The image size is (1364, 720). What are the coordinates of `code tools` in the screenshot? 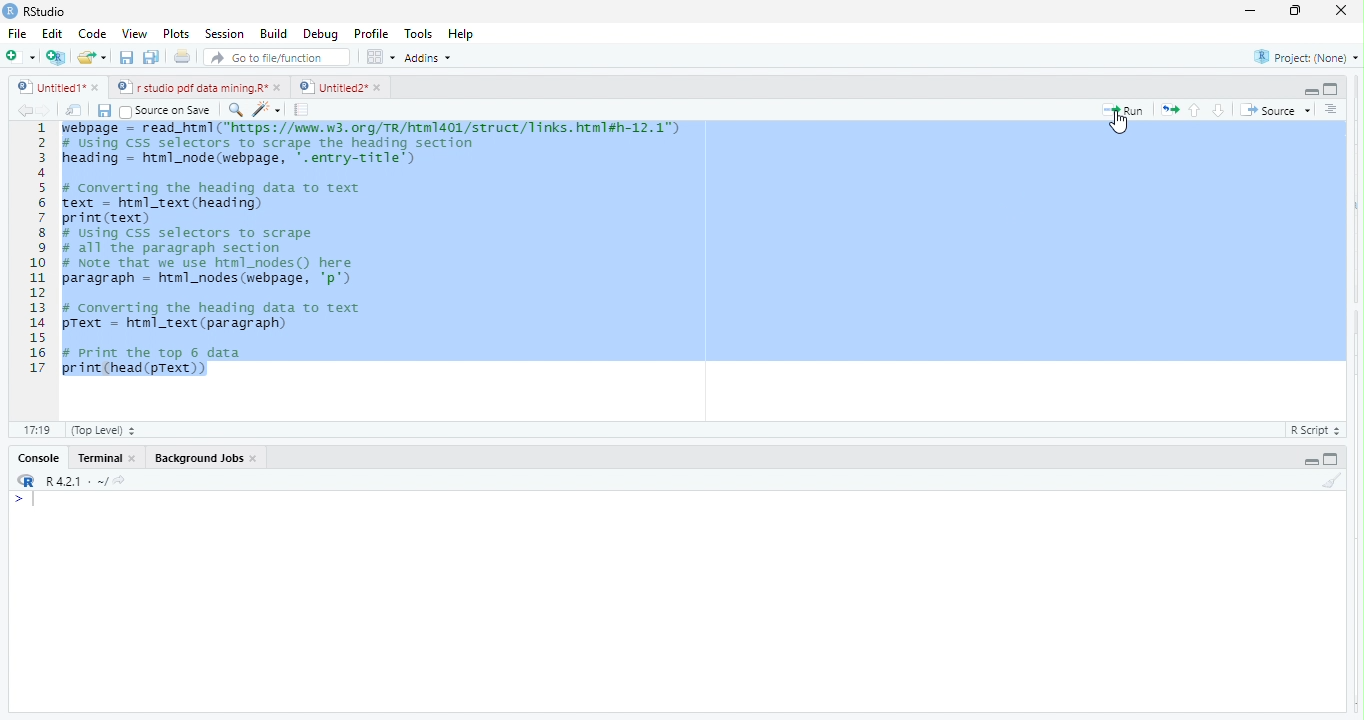 It's located at (267, 109).